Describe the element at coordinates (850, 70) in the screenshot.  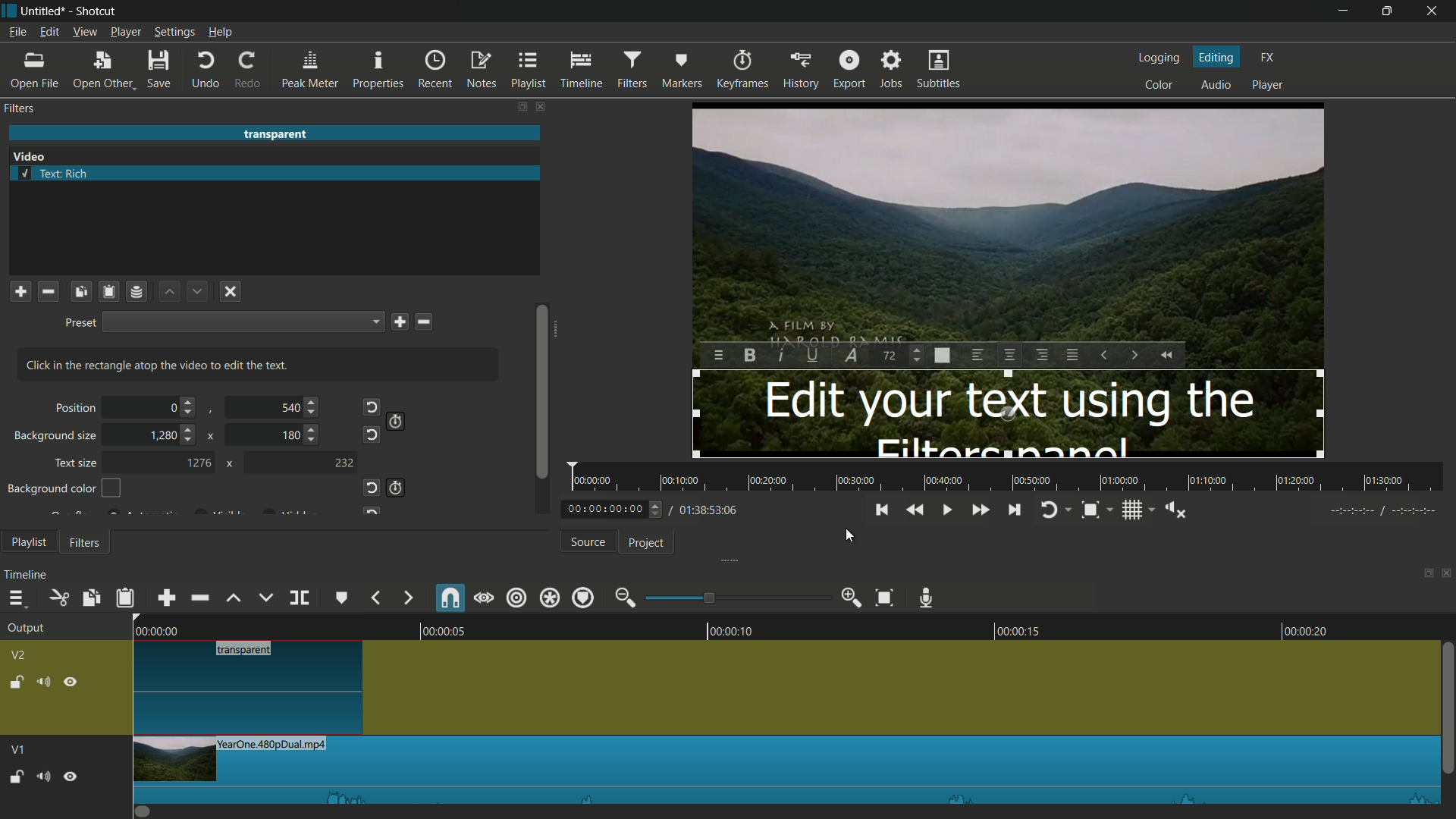
I see `export` at that location.